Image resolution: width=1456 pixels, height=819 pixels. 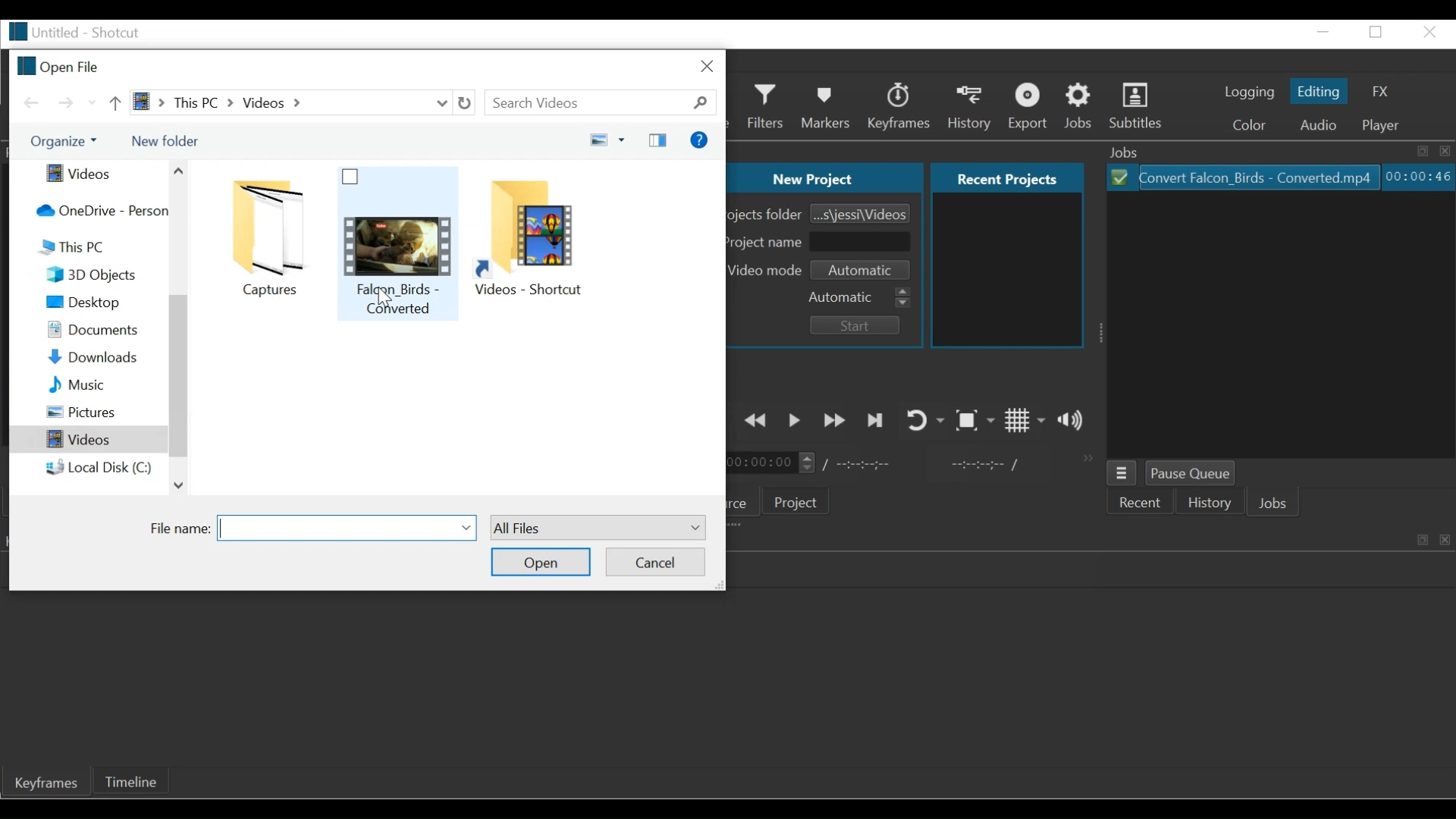 I want to click on Markers, so click(x=827, y=107).